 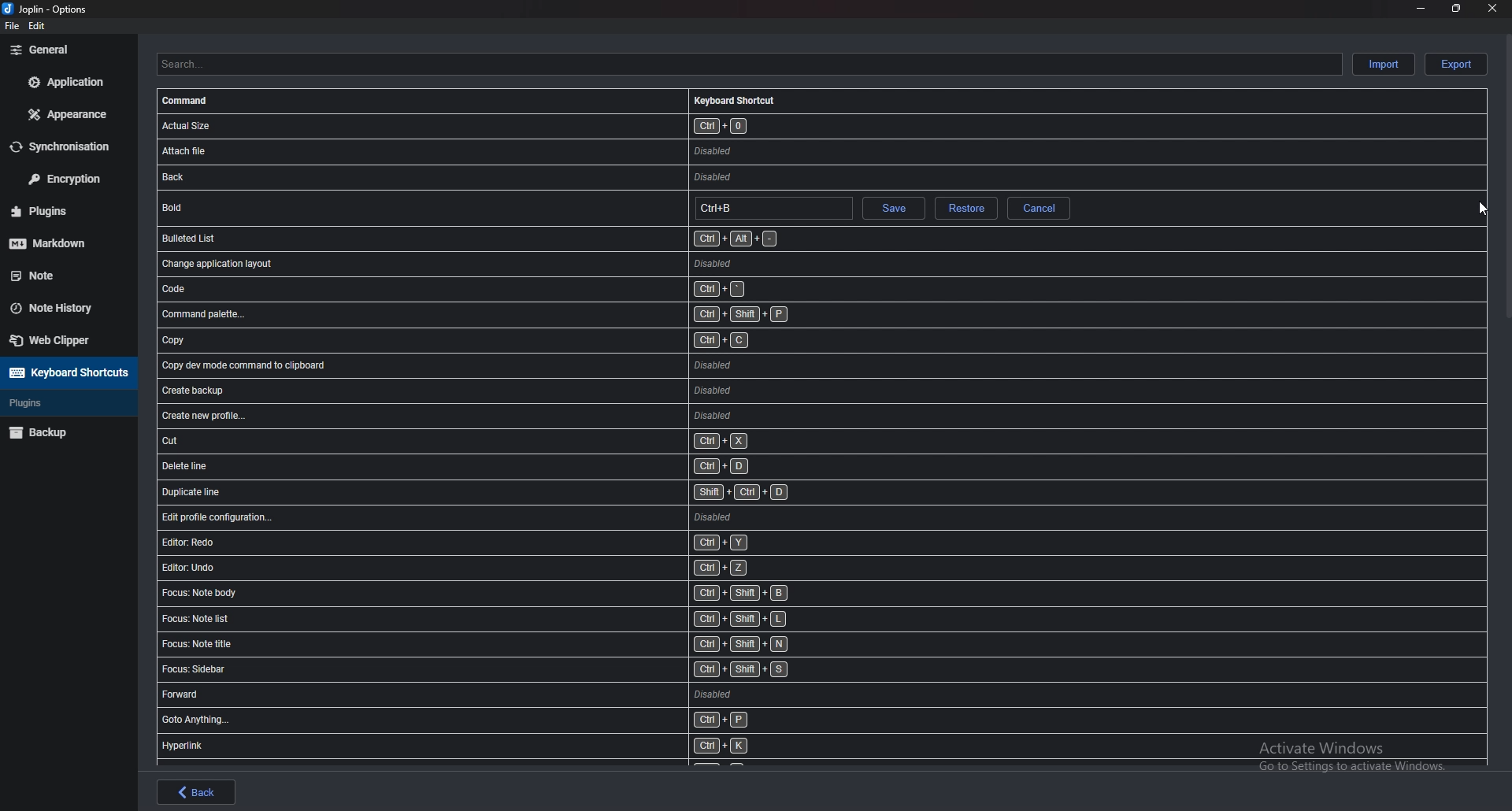 I want to click on edit, so click(x=35, y=25).